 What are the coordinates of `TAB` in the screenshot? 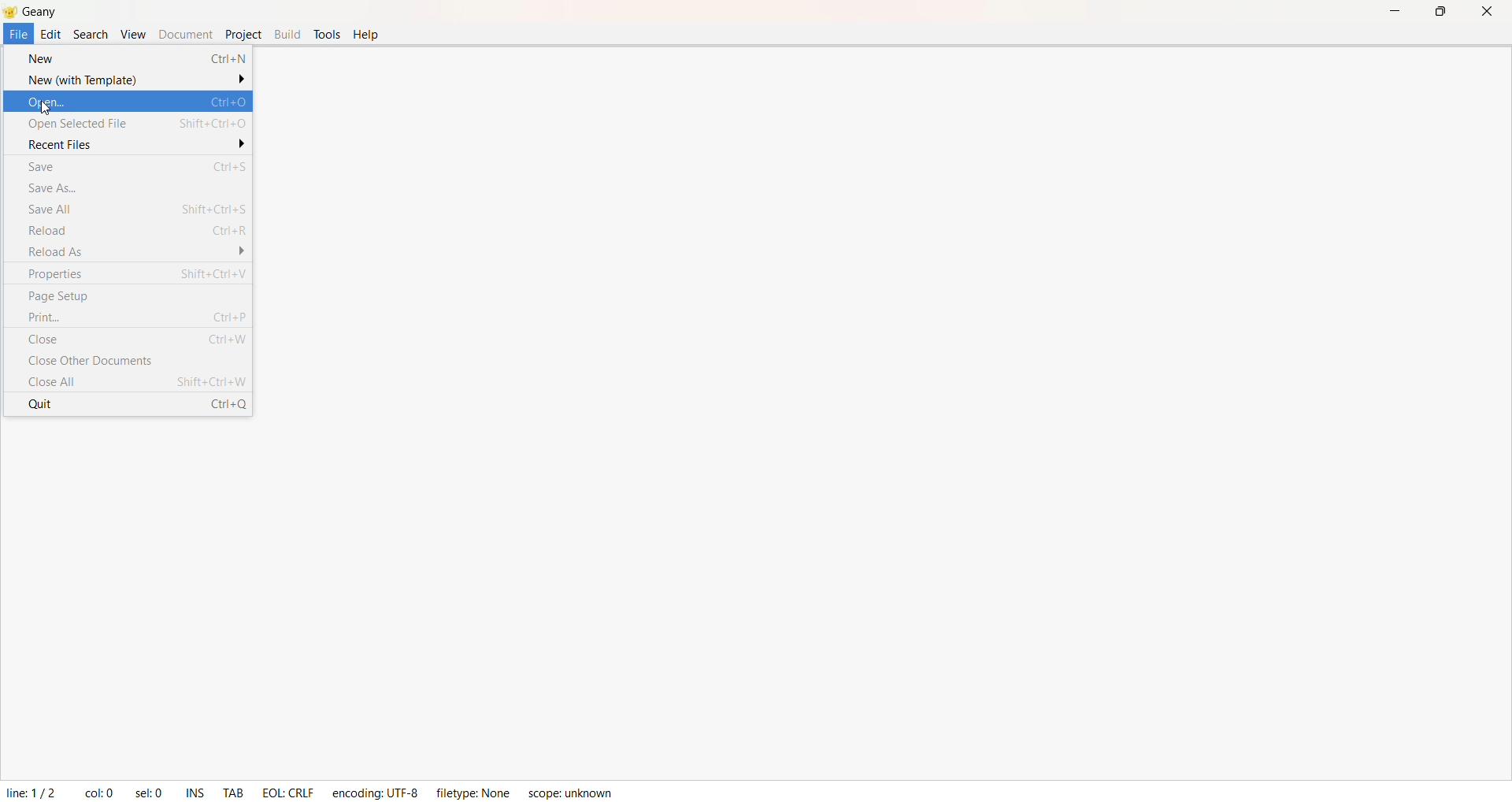 It's located at (235, 790).